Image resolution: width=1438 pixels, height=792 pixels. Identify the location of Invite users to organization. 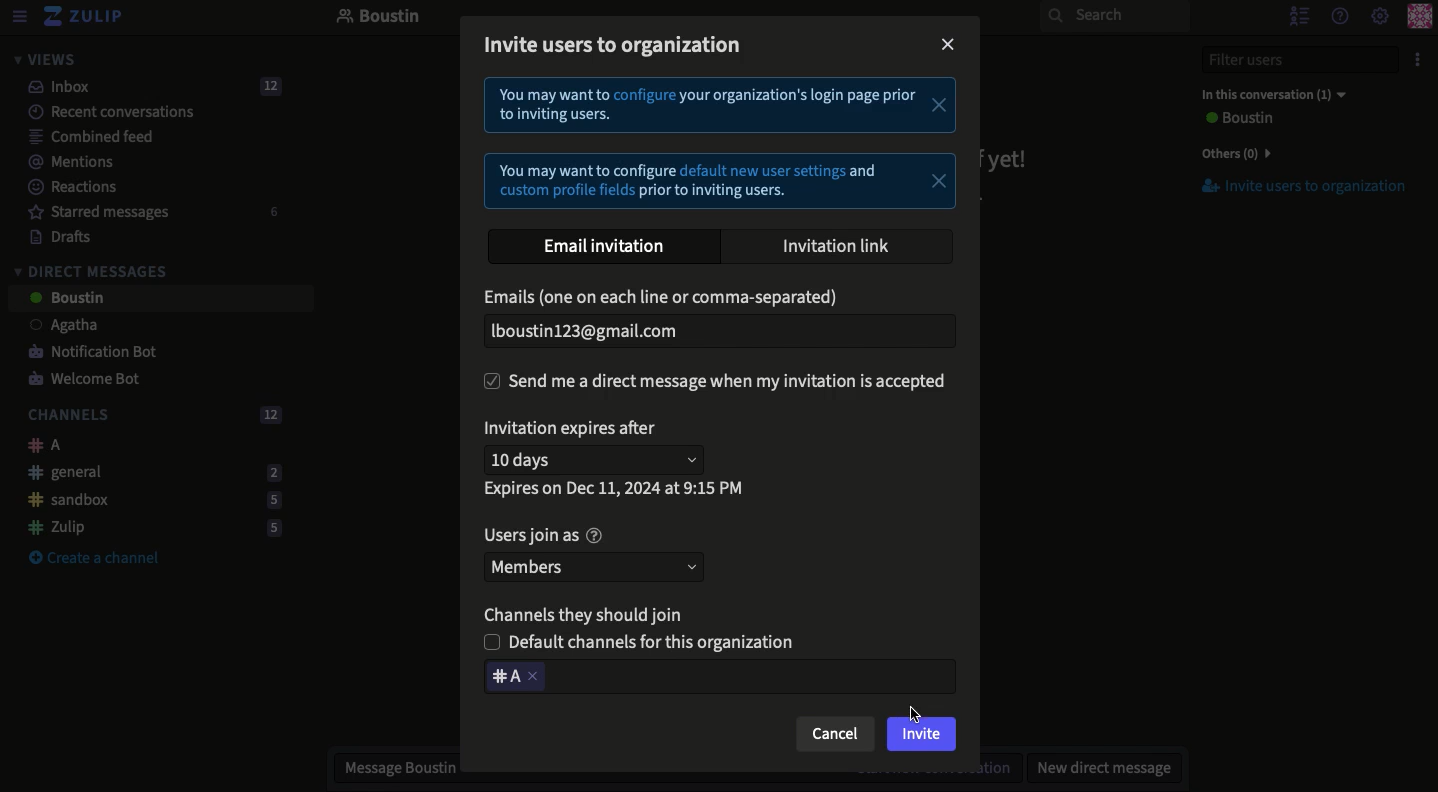
(1293, 187).